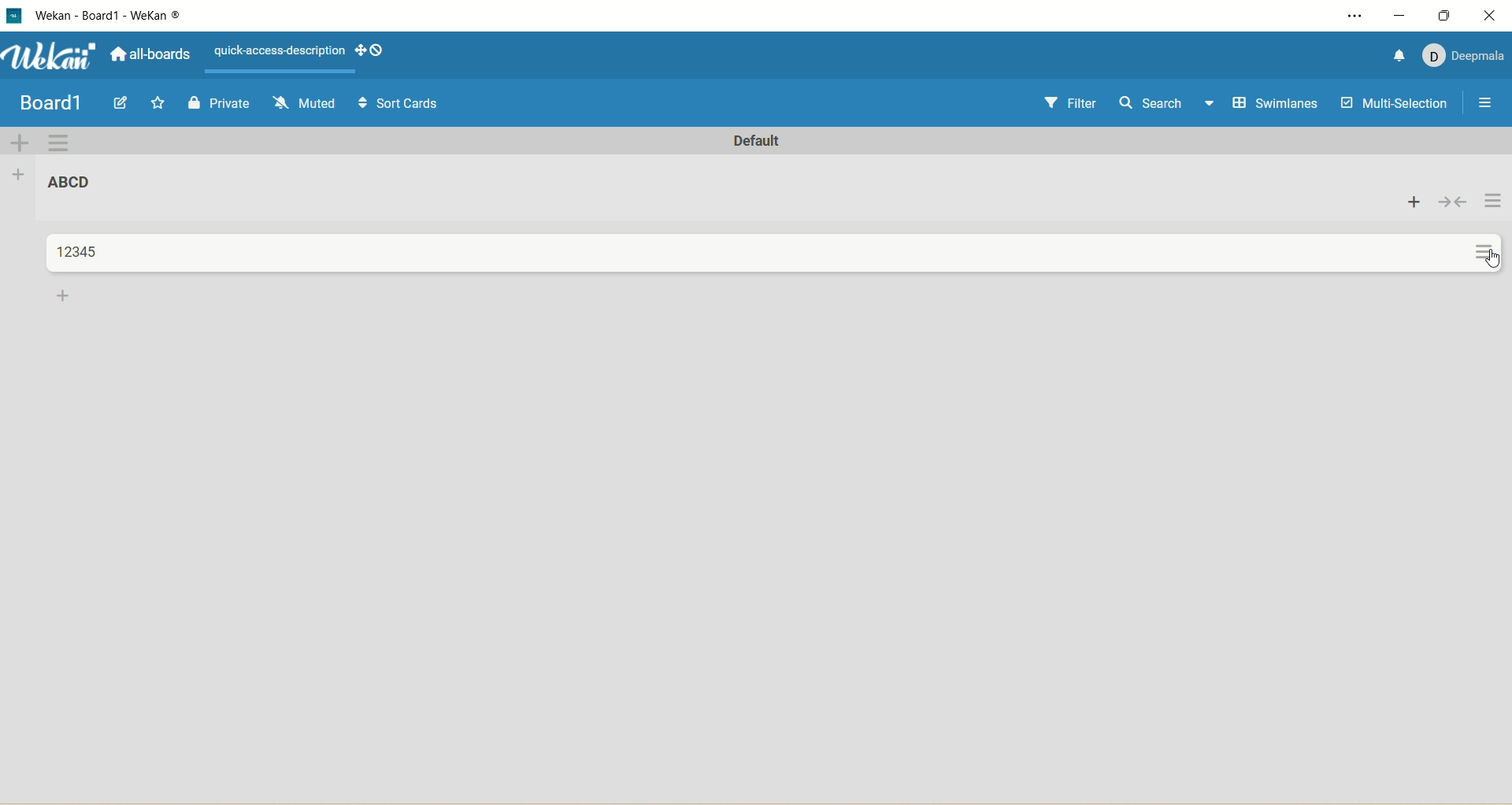 The height and width of the screenshot is (805, 1512). I want to click on wekan, so click(55, 57).